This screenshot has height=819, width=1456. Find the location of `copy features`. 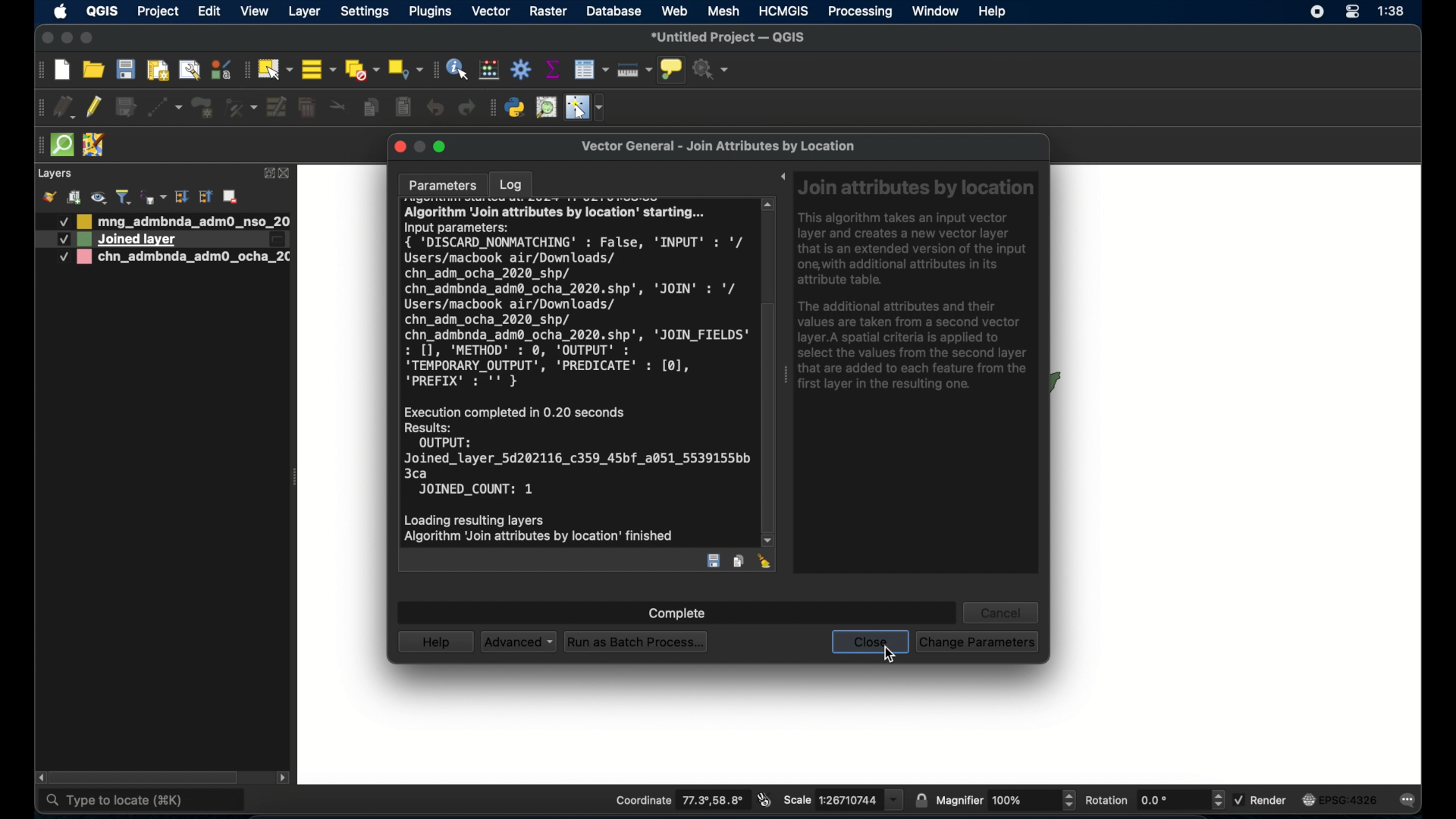

copy features is located at coordinates (738, 563).